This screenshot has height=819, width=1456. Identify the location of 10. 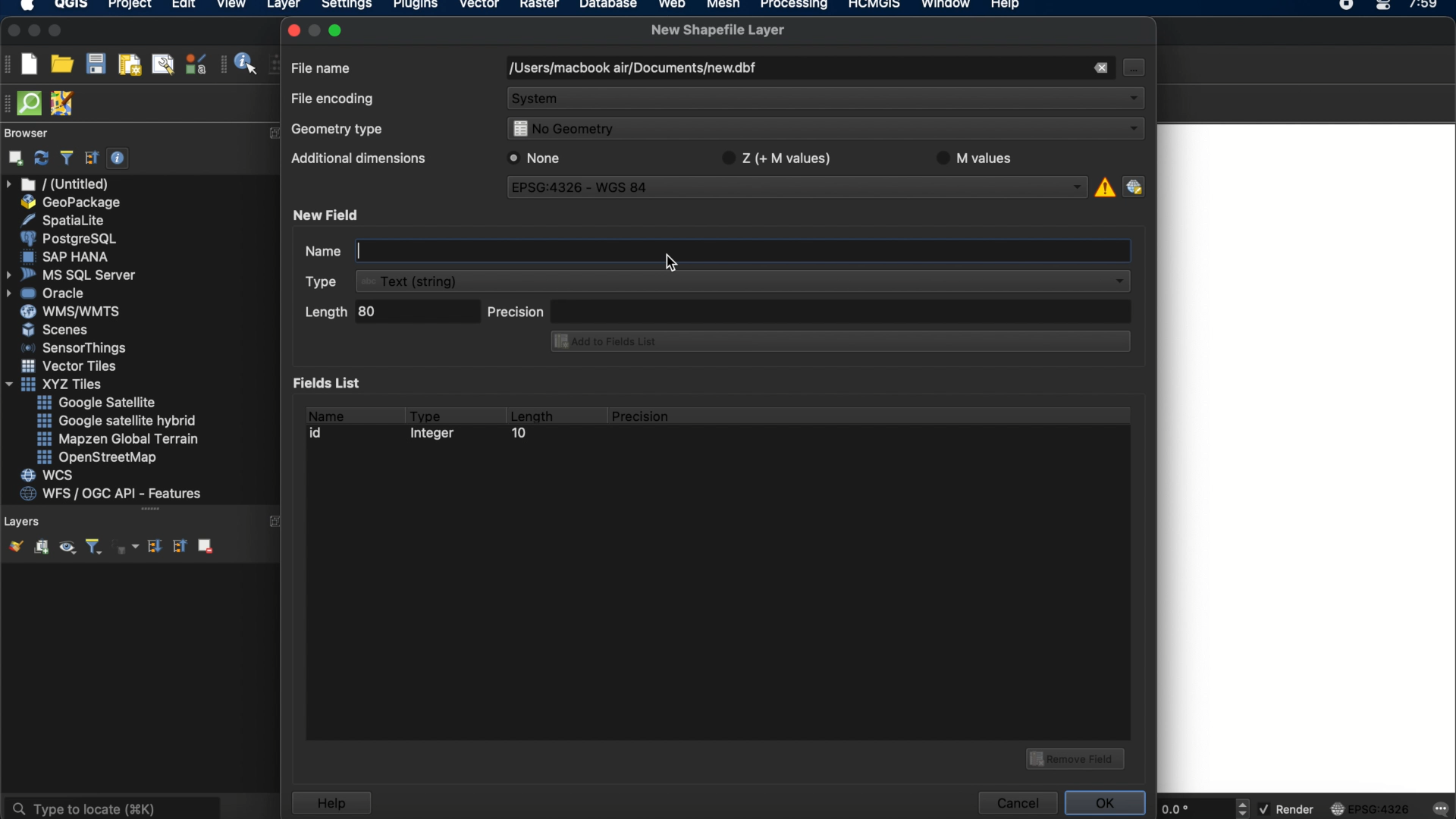
(518, 435).